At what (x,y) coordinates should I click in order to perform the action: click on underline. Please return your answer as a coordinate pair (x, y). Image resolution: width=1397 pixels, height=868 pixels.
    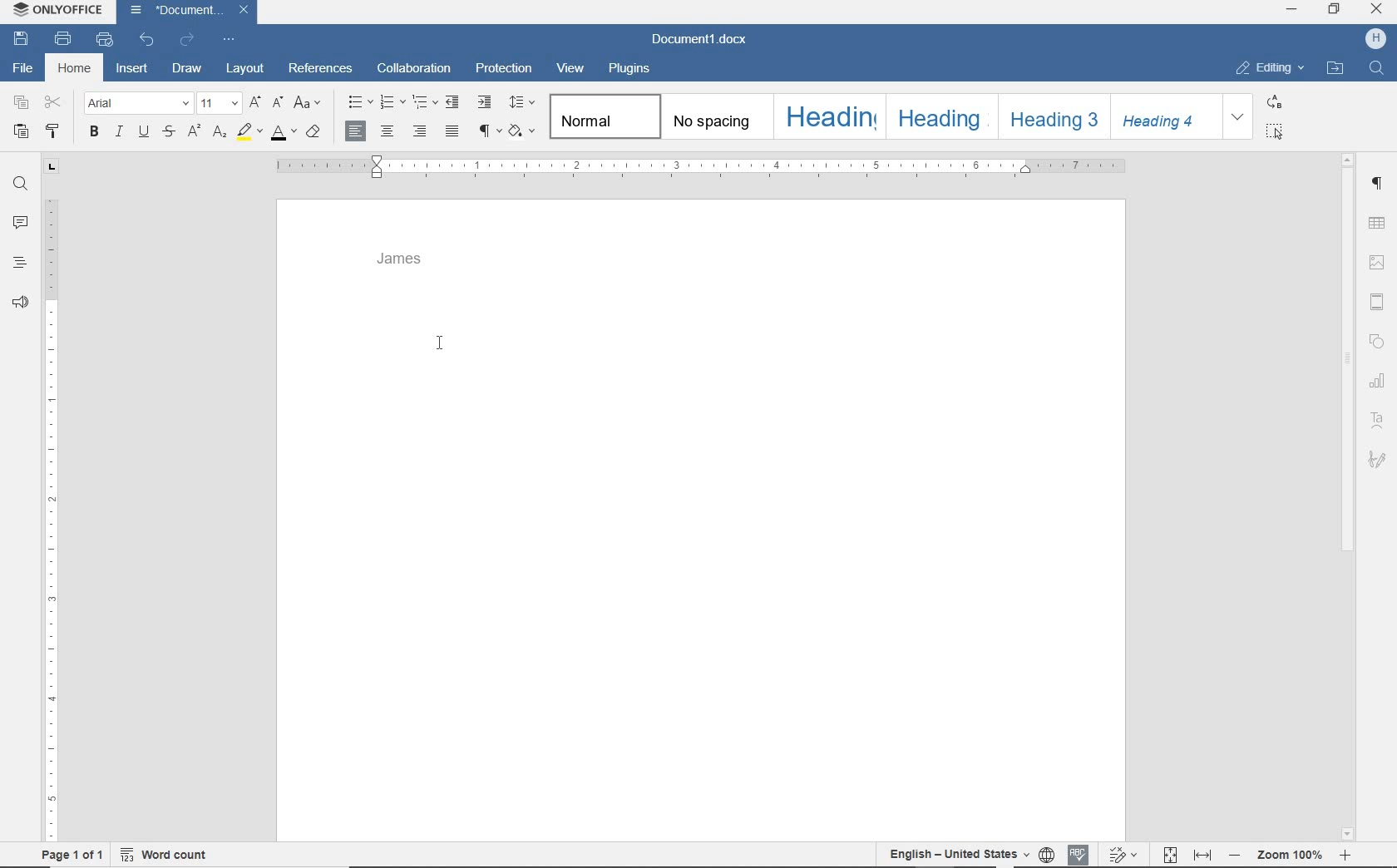
    Looking at the image, I should click on (144, 133).